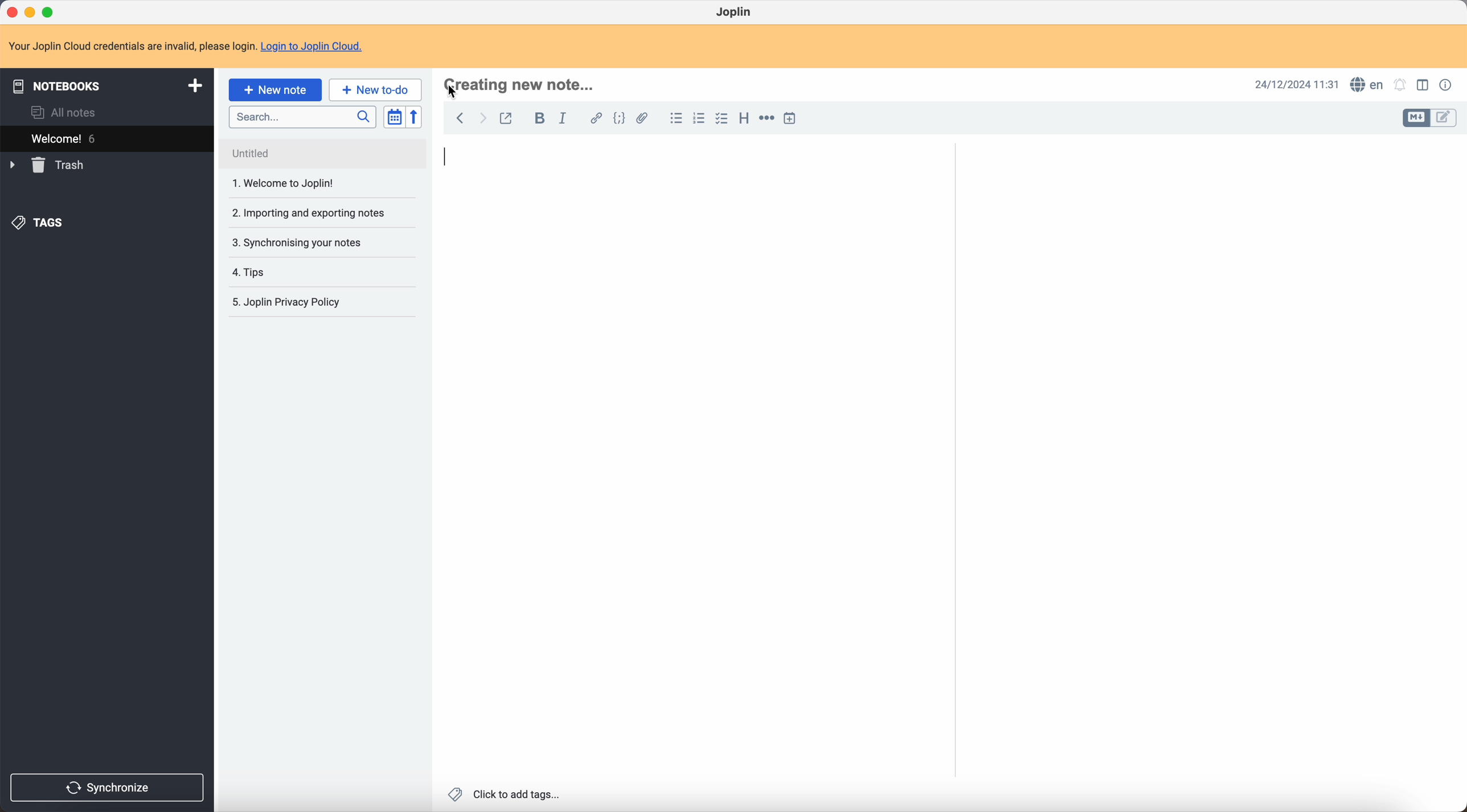 Image resolution: width=1467 pixels, height=812 pixels. What do you see at coordinates (949, 226) in the screenshot?
I see `scroll bar` at bounding box center [949, 226].